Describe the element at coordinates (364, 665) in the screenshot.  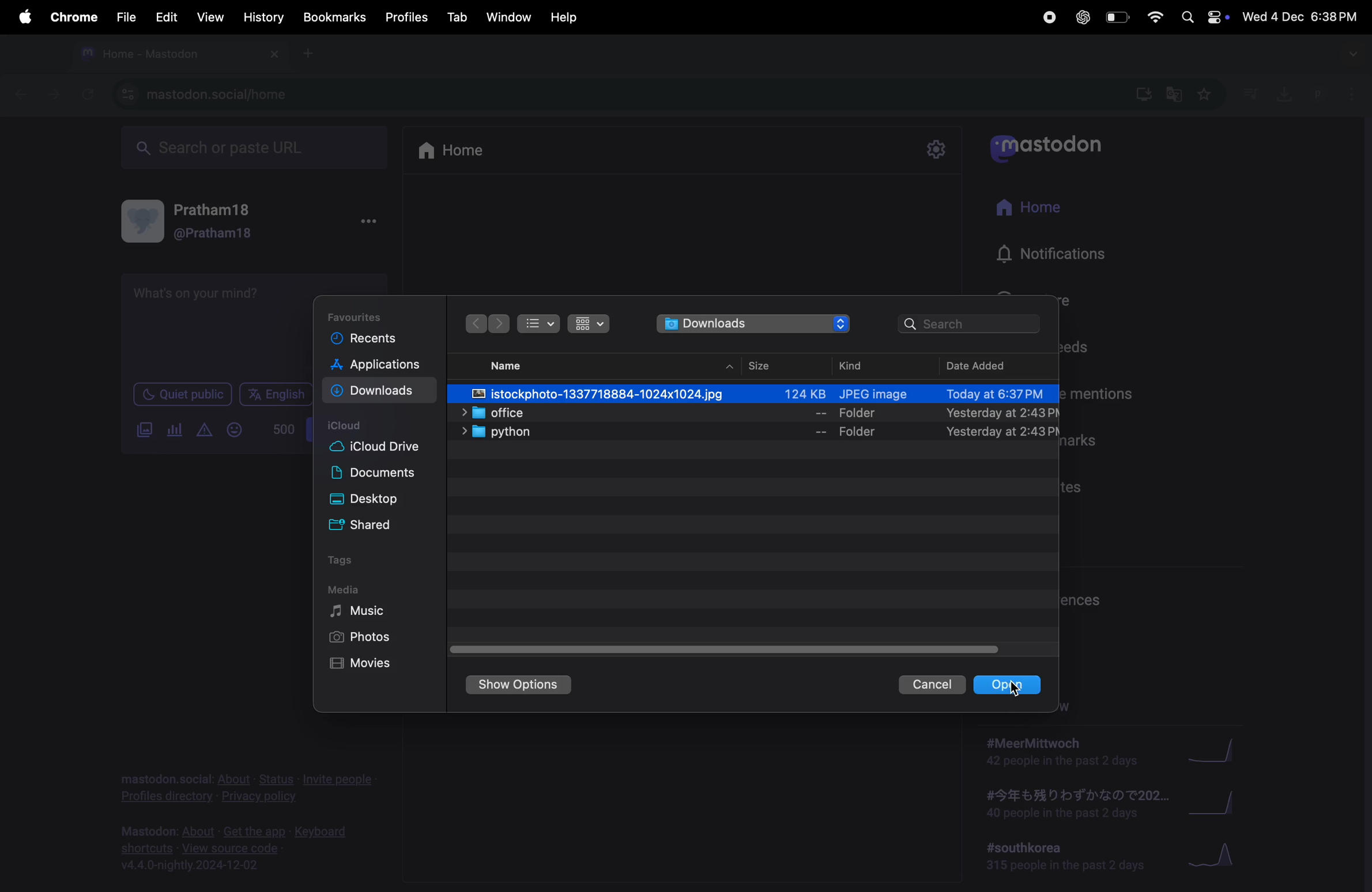
I see `movies` at that location.